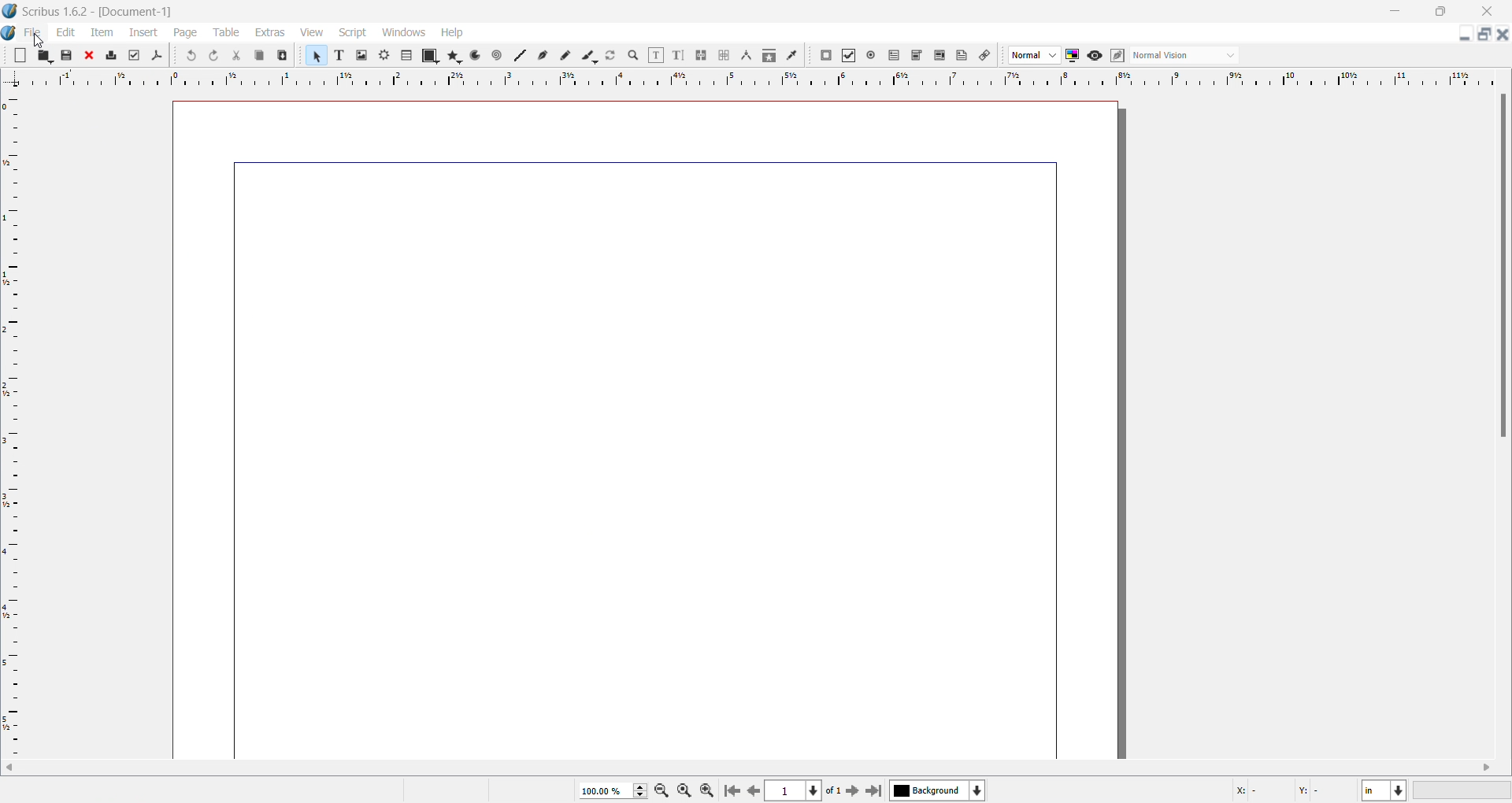  Describe the element at coordinates (653, 55) in the screenshot. I see `icon` at that location.